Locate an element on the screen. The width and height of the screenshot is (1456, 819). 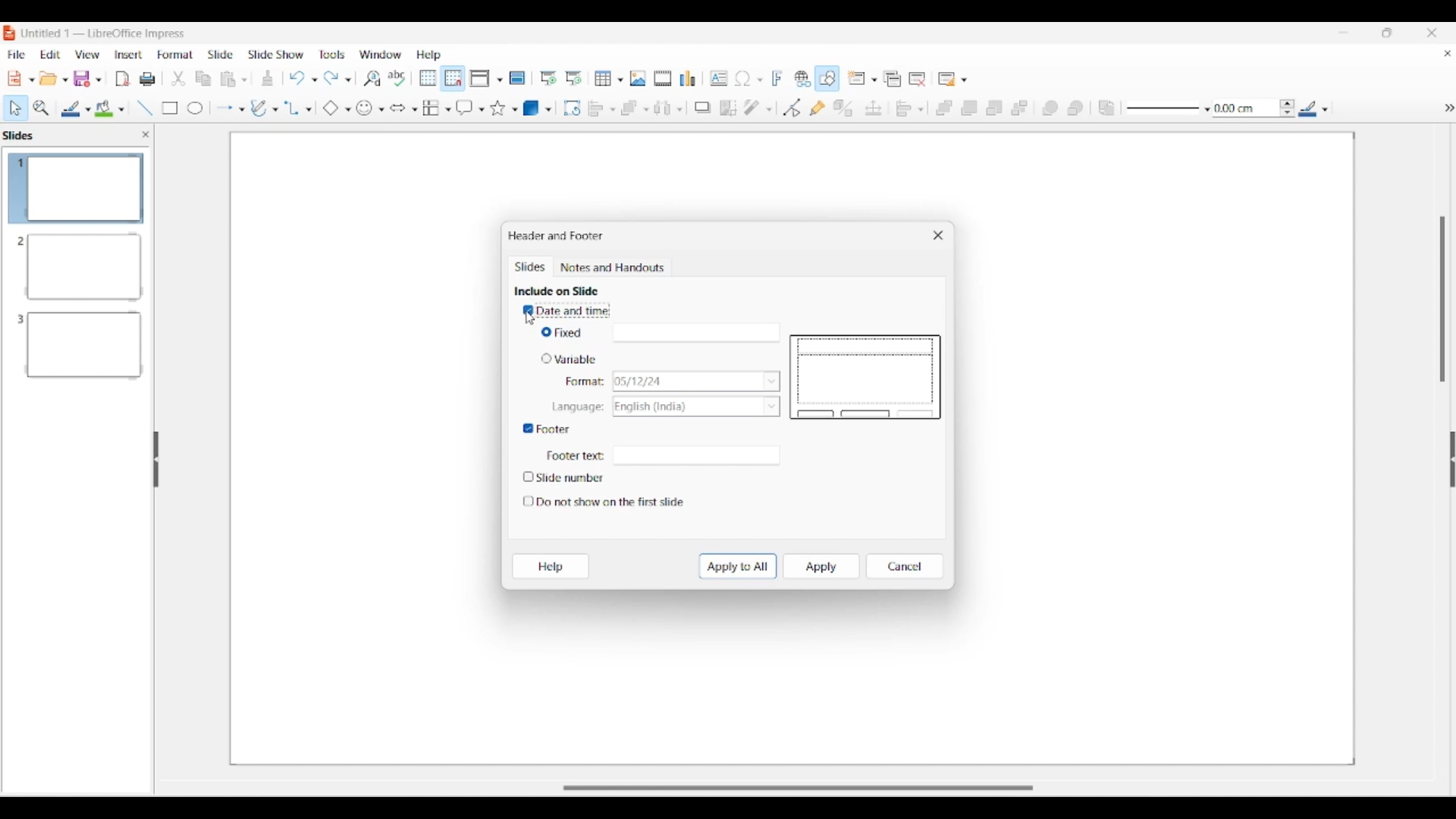
Section title is located at coordinates (556, 290).